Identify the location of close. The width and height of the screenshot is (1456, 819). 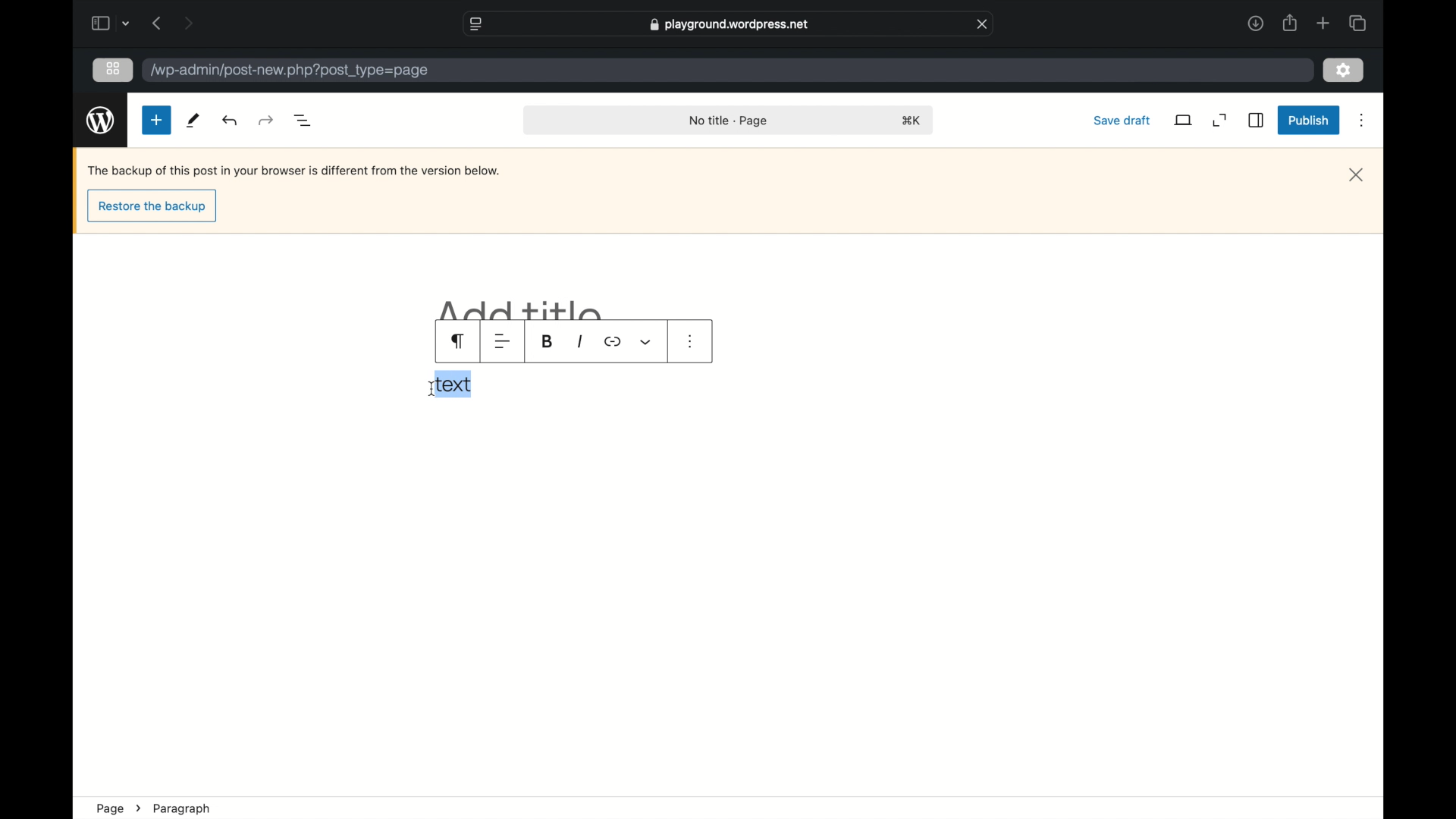
(1357, 175).